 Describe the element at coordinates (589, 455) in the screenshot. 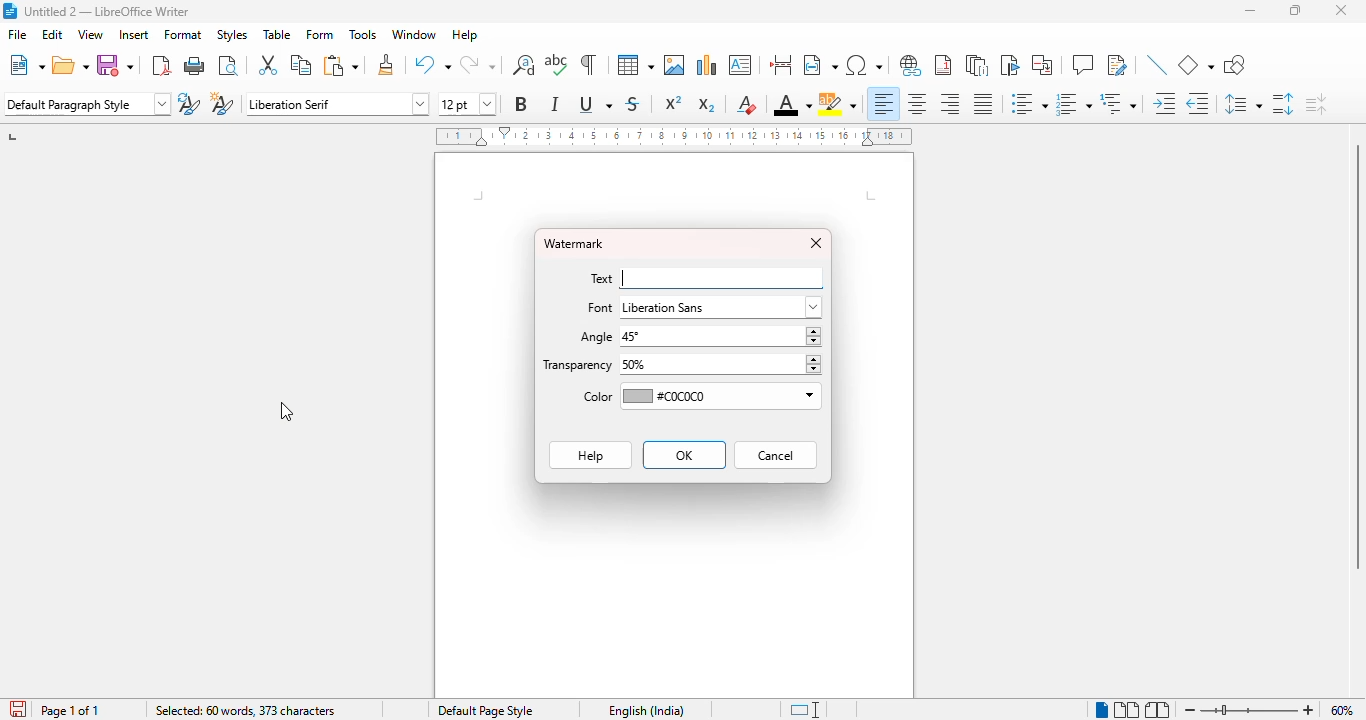

I see `help` at that location.